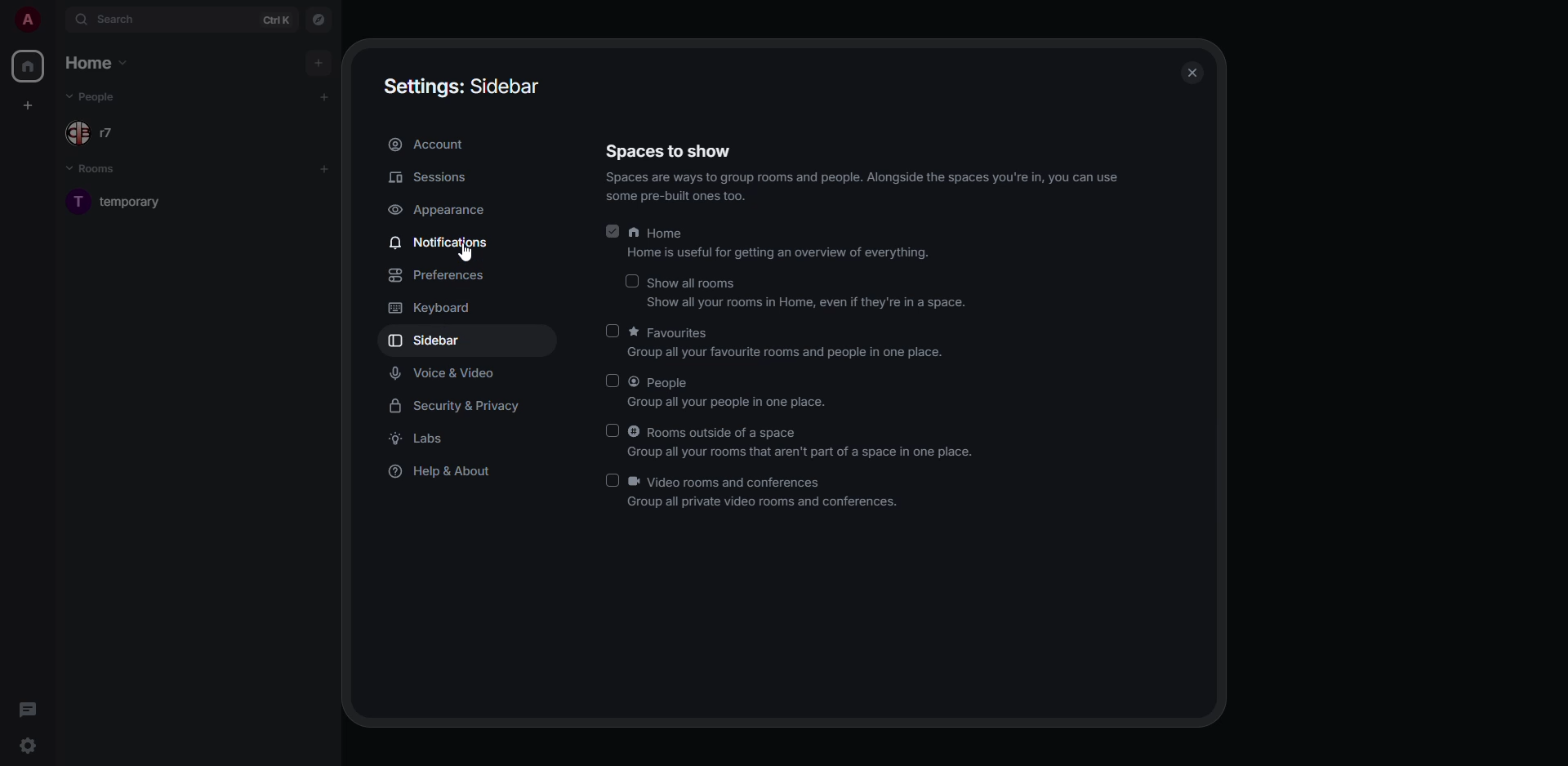 The image size is (1568, 766). Describe the element at coordinates (765, 492) in the screenshot. I see `video rooms and conferences` at that location.